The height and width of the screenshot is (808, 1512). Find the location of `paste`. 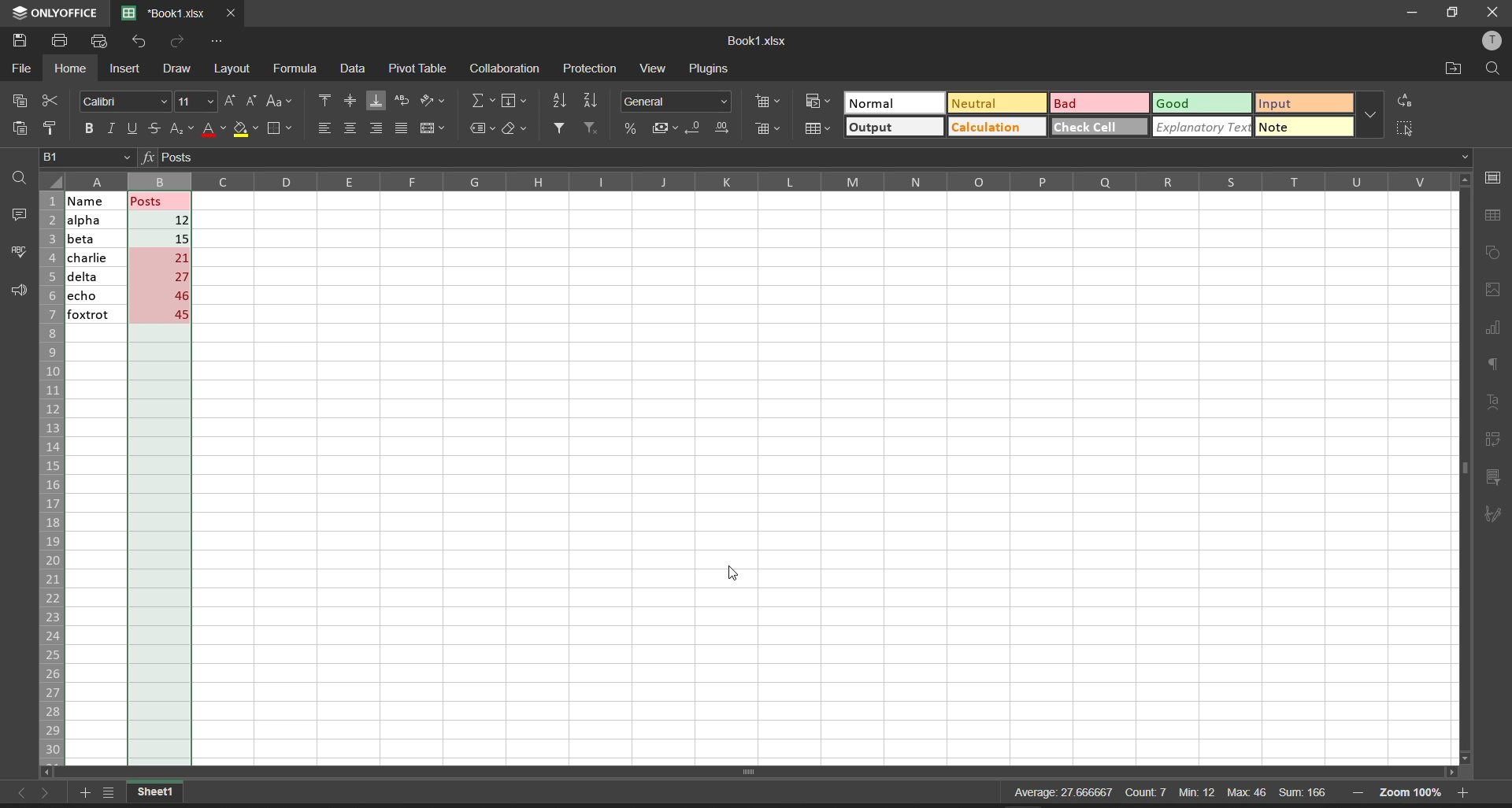

paste is located at coordinates (20, 129).